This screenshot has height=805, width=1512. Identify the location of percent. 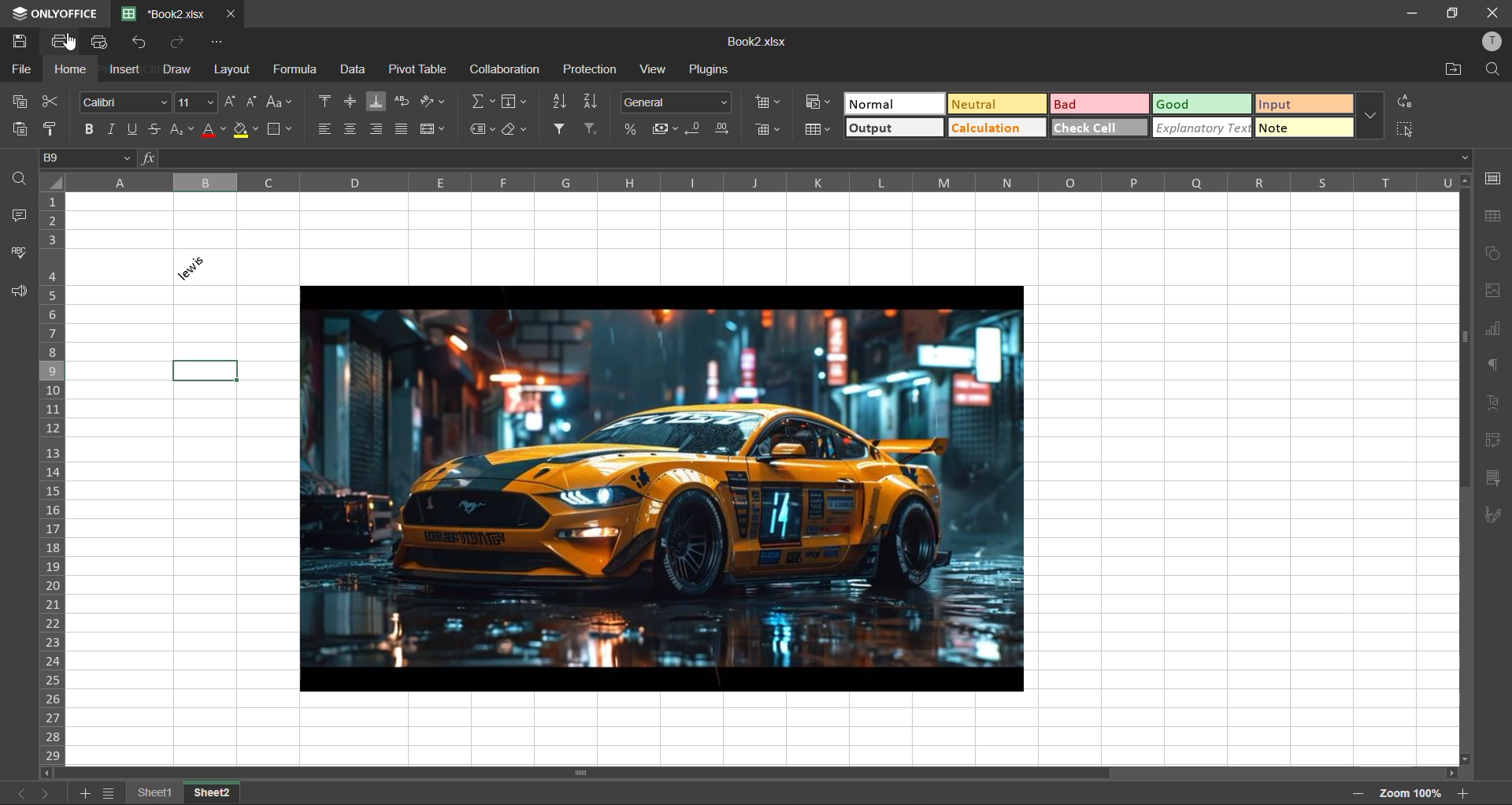
(631, 130).